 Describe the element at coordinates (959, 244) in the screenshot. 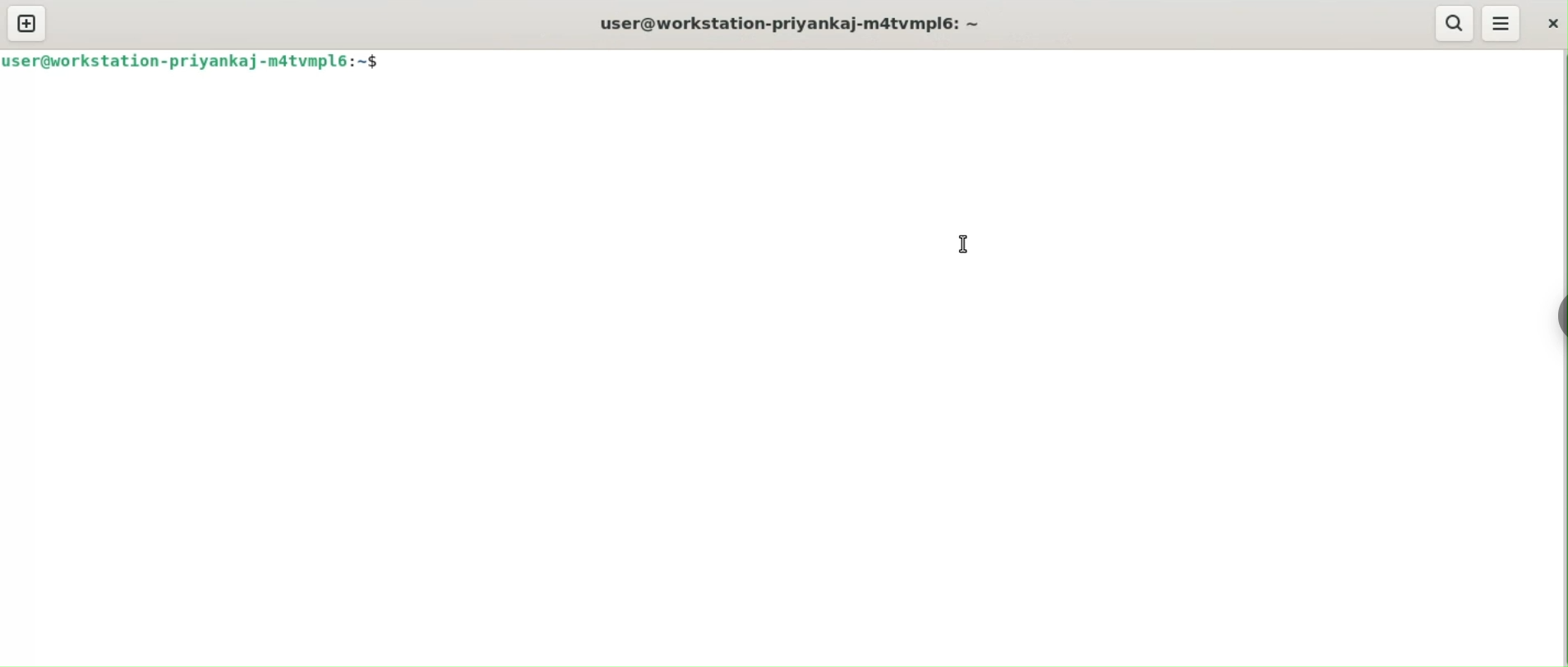

I see `cursor` at that location.